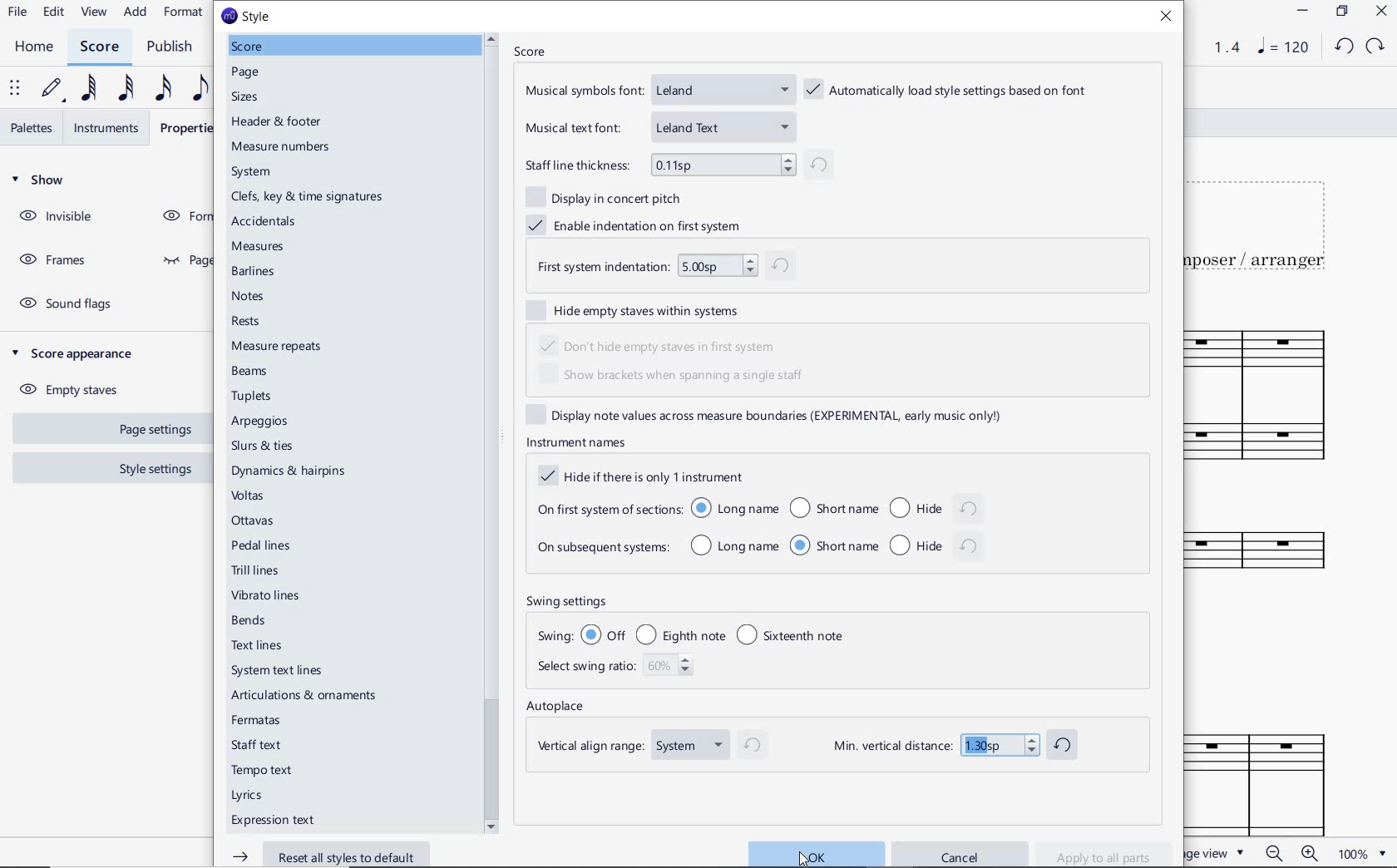 This screenshot has width=1397, height=868. What do you see at coordinates (54, 88) in the screenshot?
I see `DEFAULT (STEP TIME)` at bounding box center [54, 88].